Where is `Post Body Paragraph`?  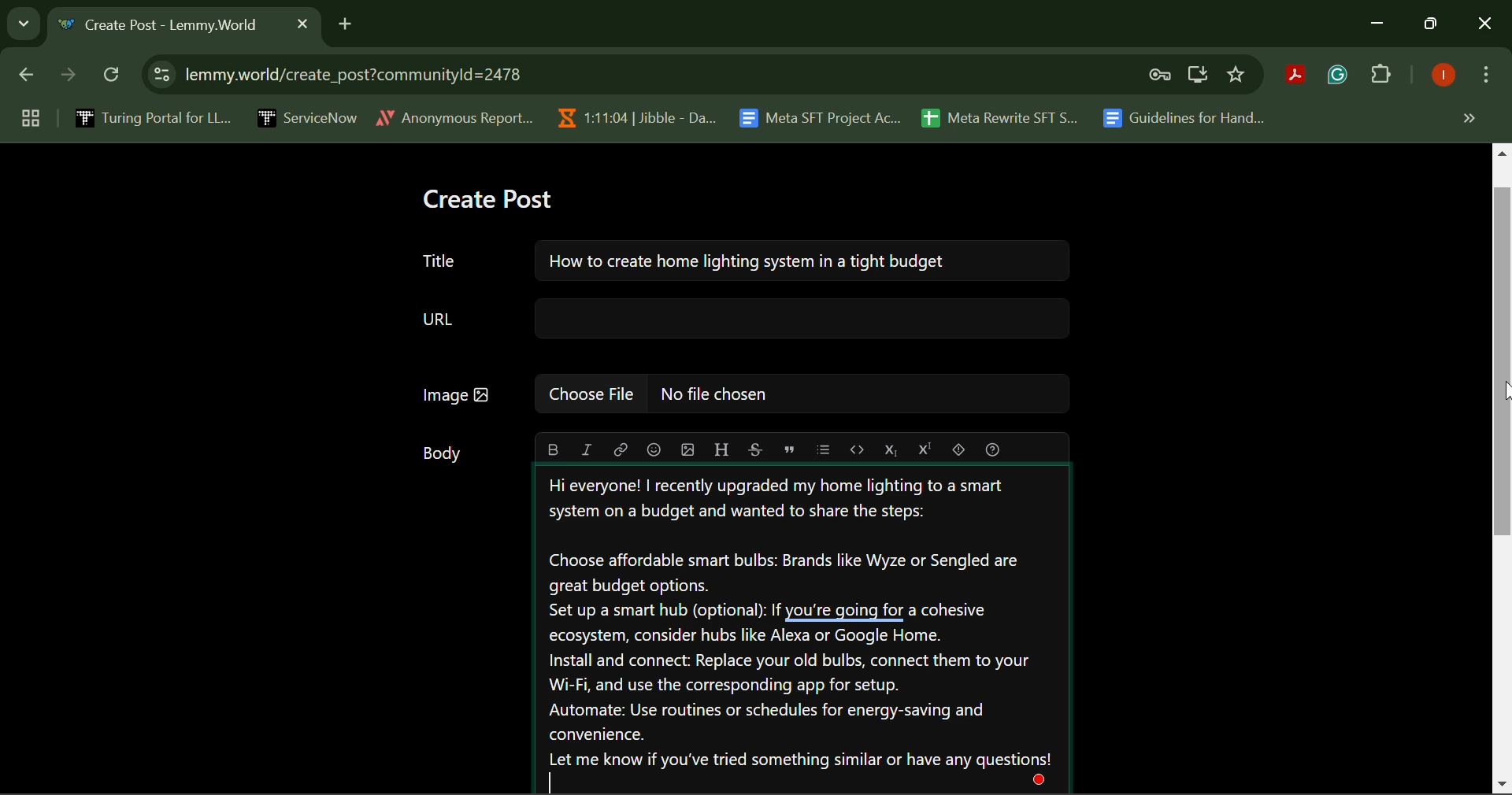
Post Body Paragraph is located at coordinates (802, 631).